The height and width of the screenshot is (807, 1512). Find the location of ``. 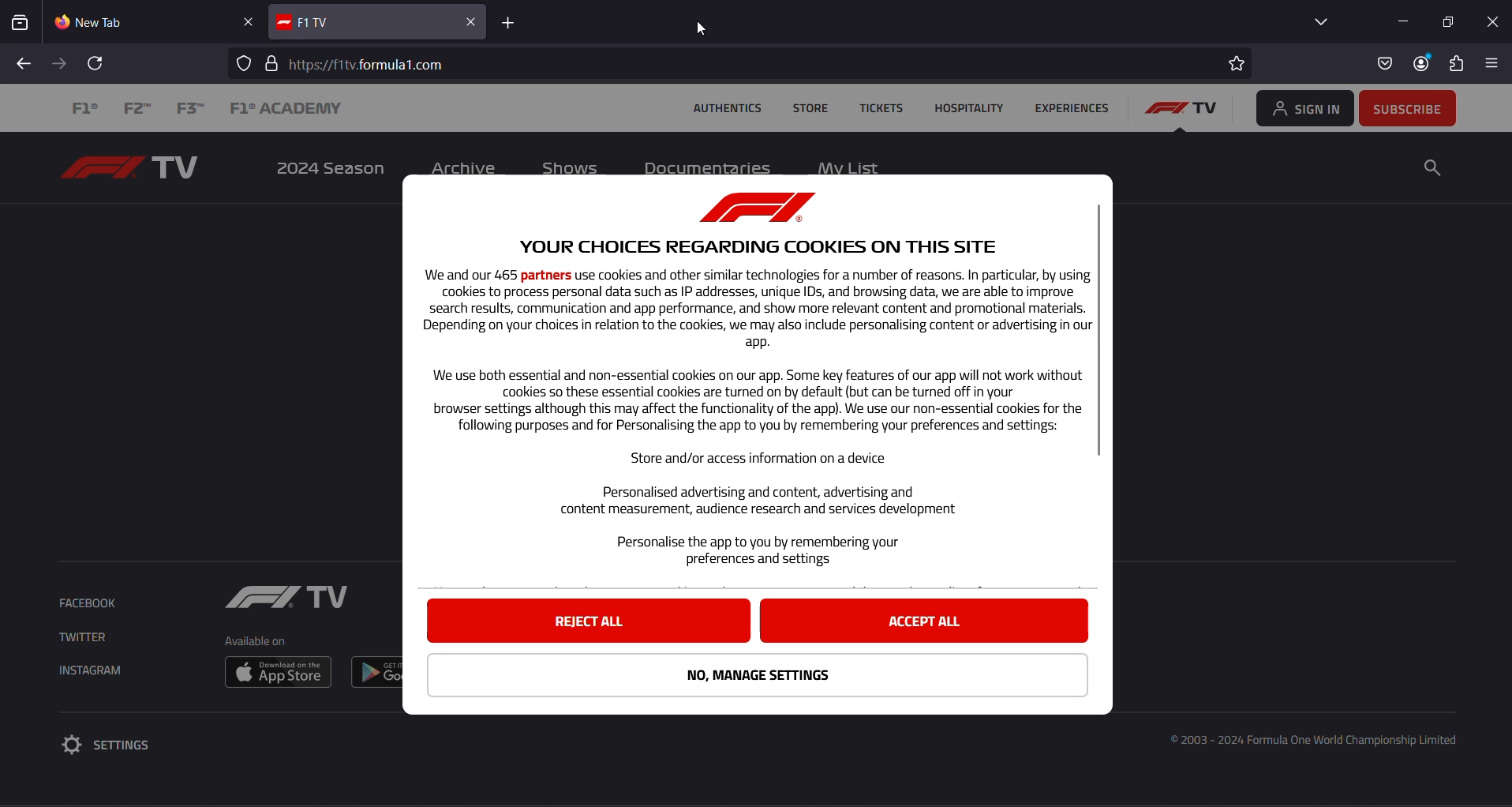

 is located at coordinates (191, 107).